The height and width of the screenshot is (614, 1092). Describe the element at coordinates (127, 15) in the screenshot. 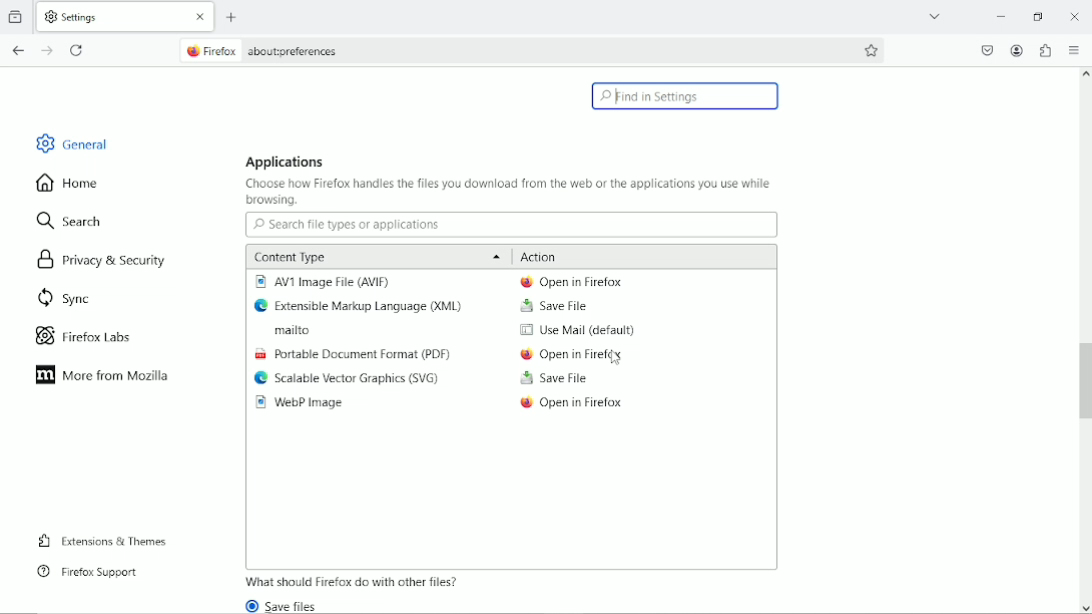

I see `settings tab` at that location.